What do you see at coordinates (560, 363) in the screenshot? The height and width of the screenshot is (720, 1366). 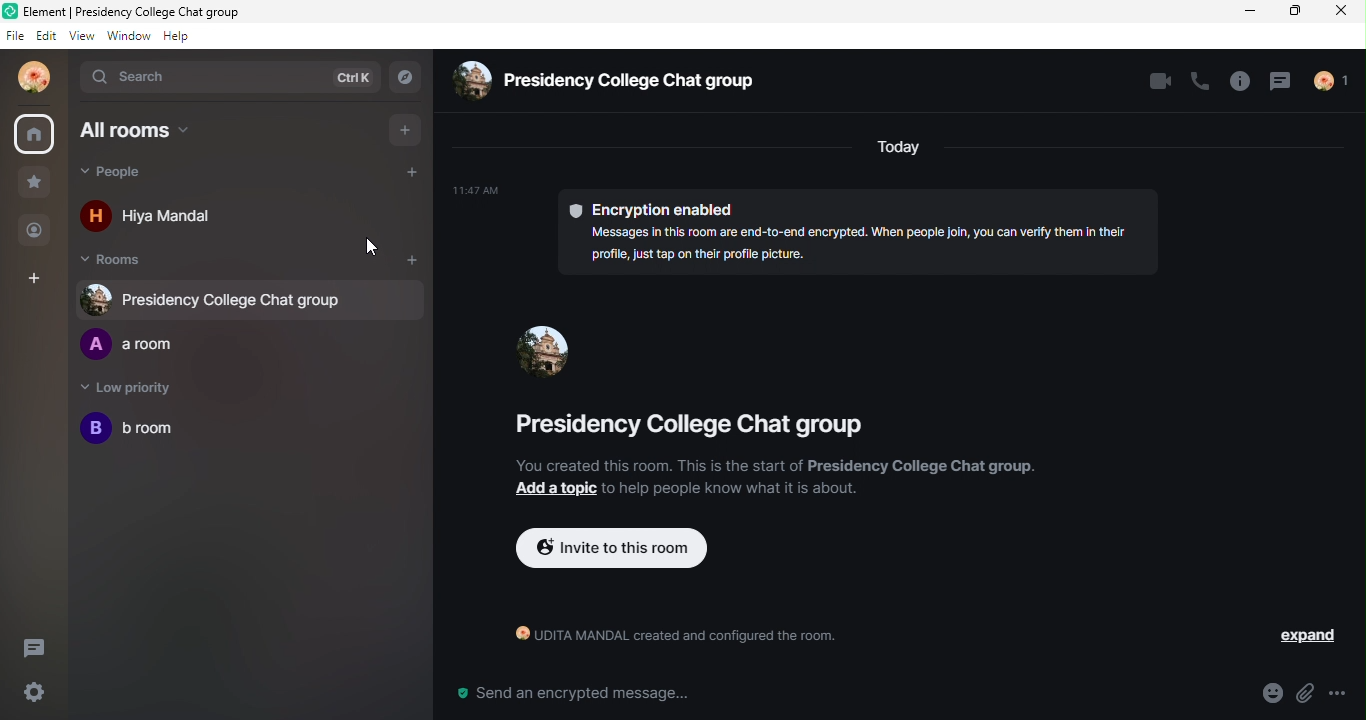 I see `cursor movement` at bounding box center [560, 363].